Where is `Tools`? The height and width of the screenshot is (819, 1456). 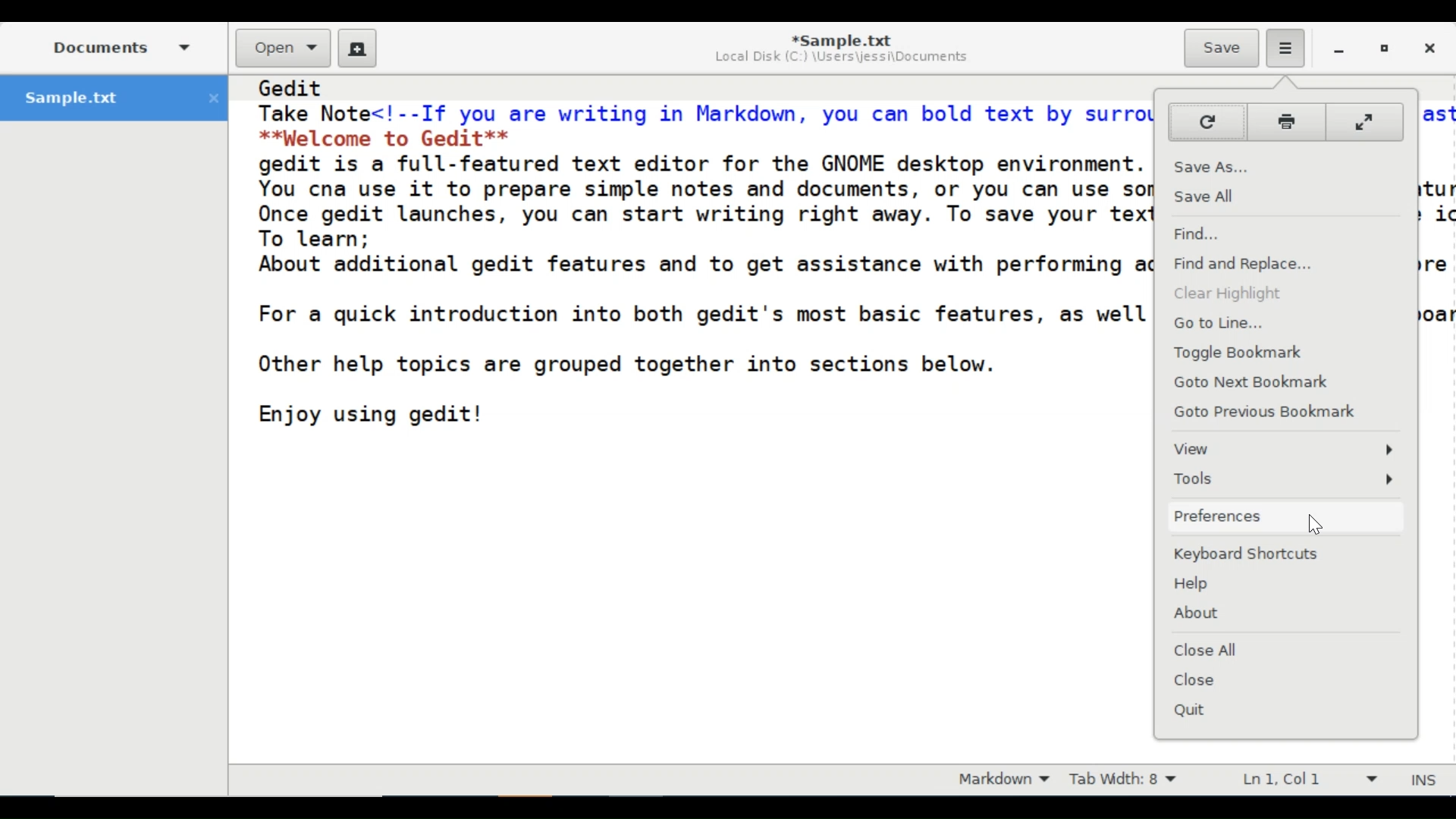
Tools is located at coordinates (1282, 478).